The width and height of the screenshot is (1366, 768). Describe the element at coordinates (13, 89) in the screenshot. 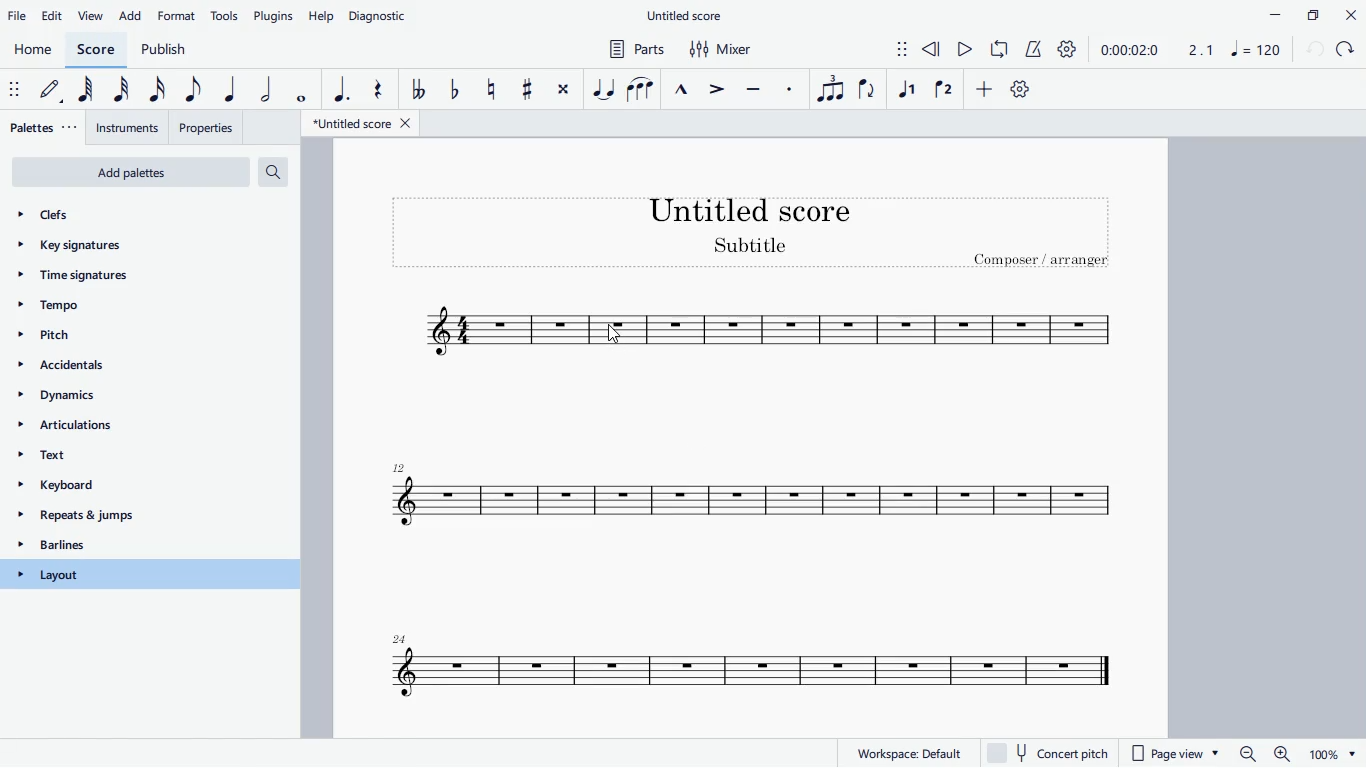

I see `move` at that location.